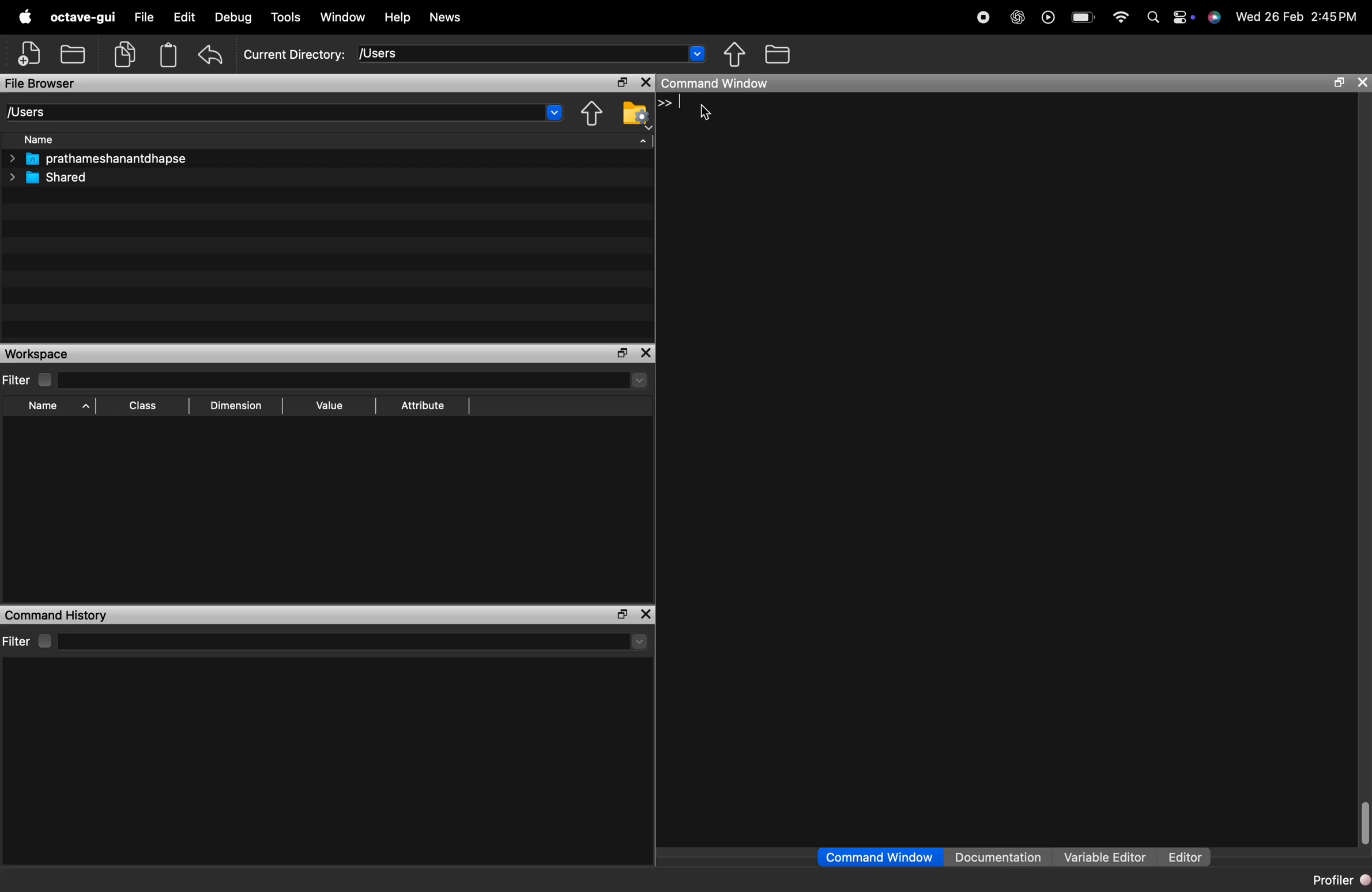 This screenshot has width=1372, height=892. I want to click on play, so click(1047, 16).